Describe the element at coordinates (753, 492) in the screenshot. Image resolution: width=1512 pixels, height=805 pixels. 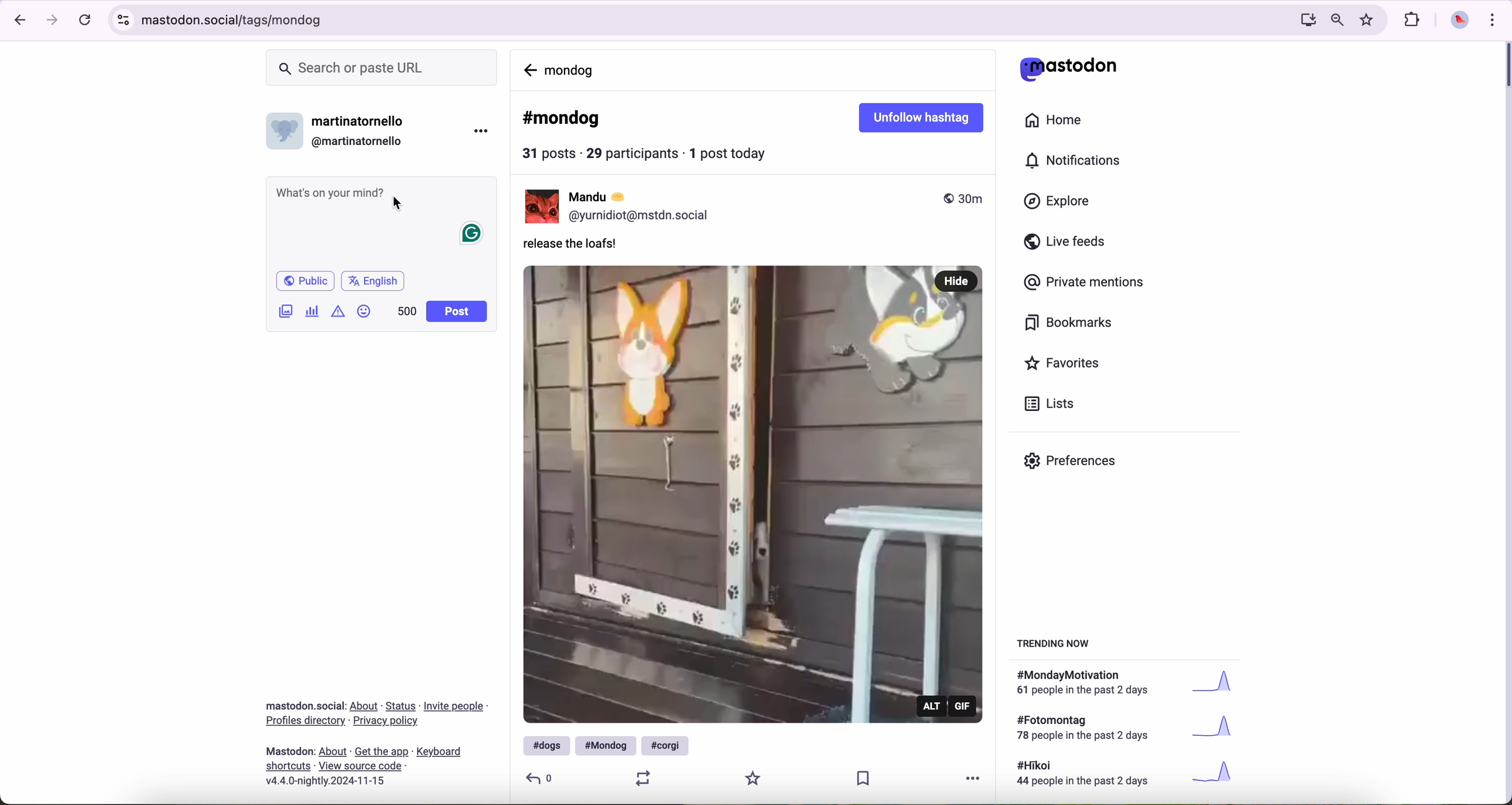
I see `gif` at that location.